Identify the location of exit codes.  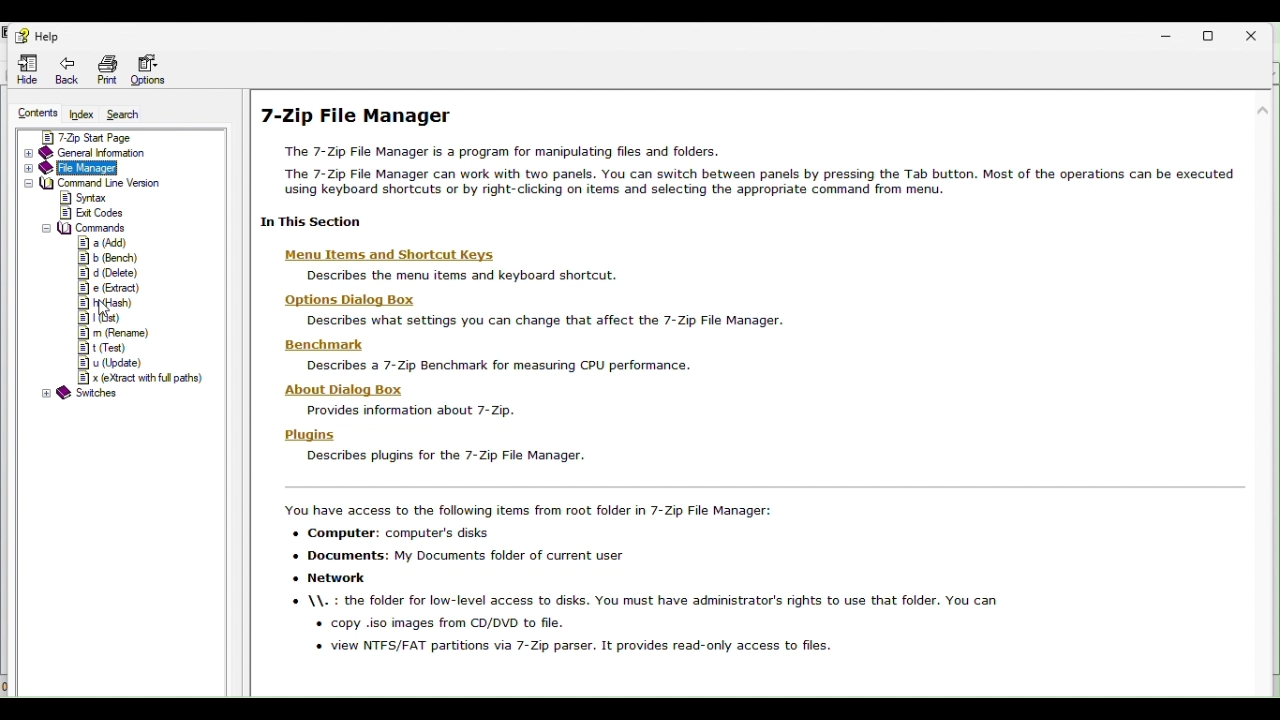
(93, 212).